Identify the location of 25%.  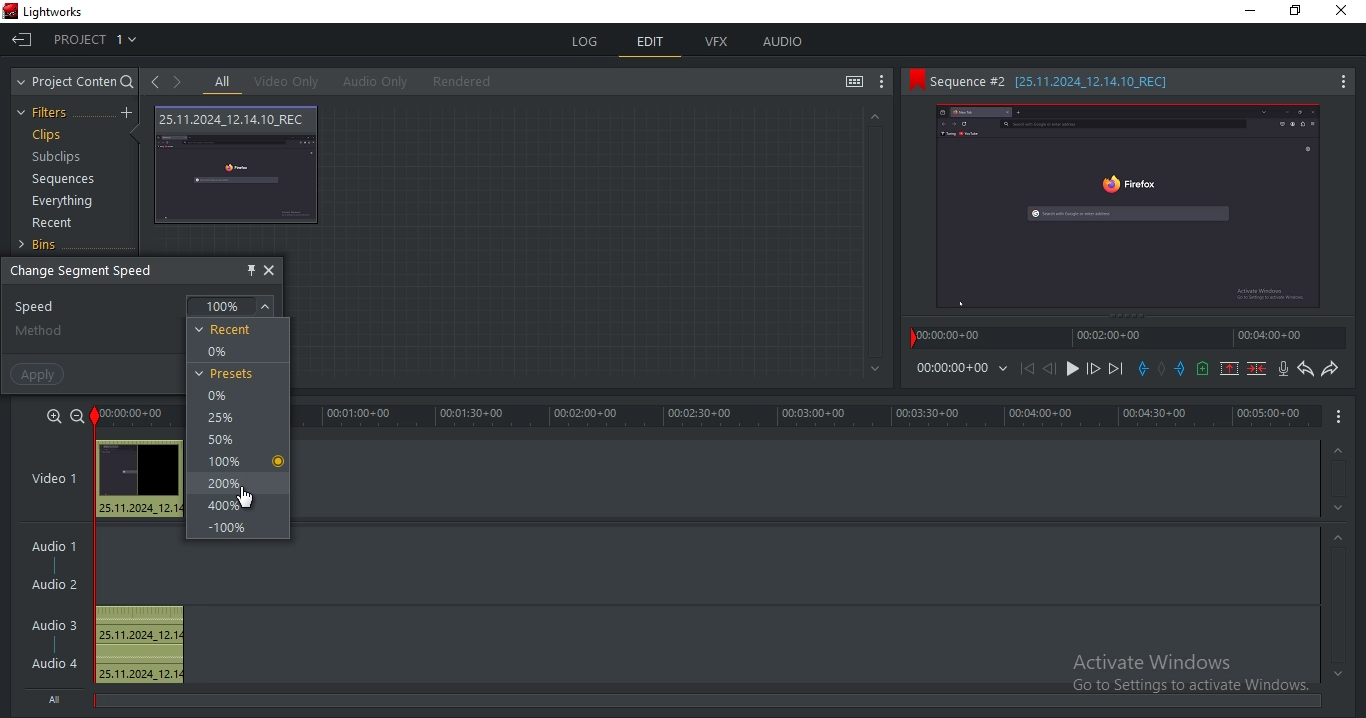
(225, 416).